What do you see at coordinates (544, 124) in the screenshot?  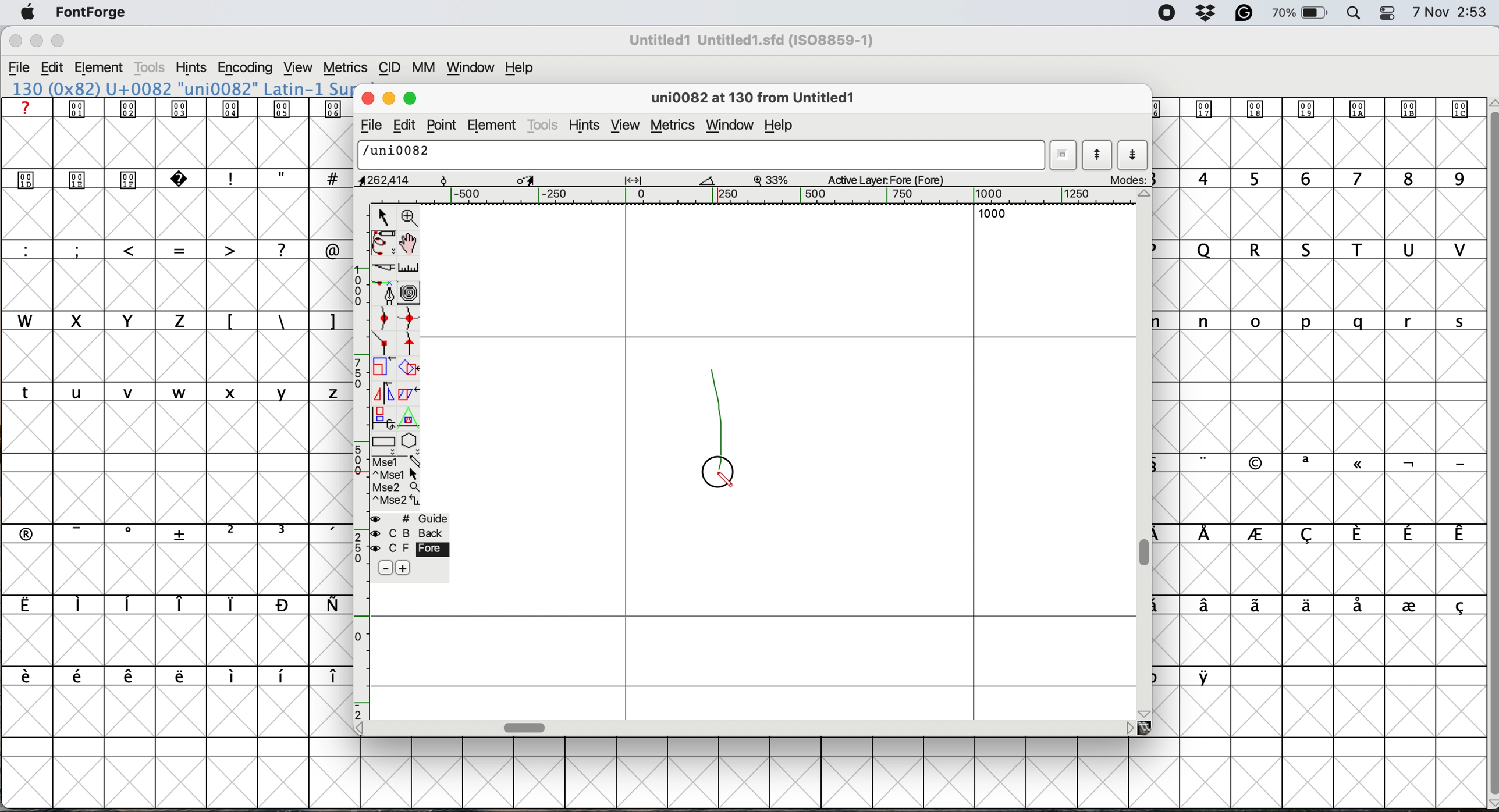 I see `tools` at bounding box center [544, 124].